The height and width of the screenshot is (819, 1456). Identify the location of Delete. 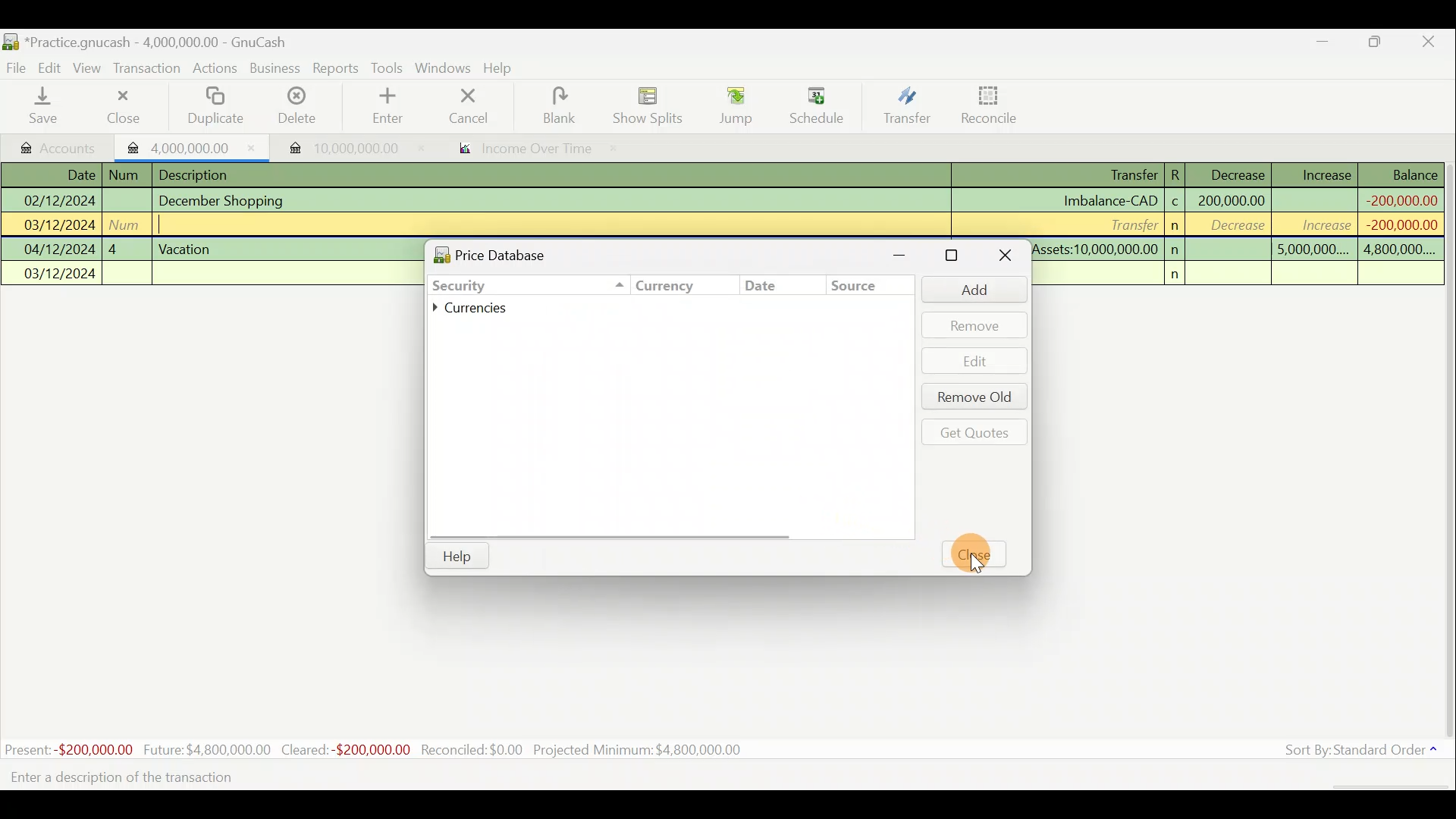
(298, 106).